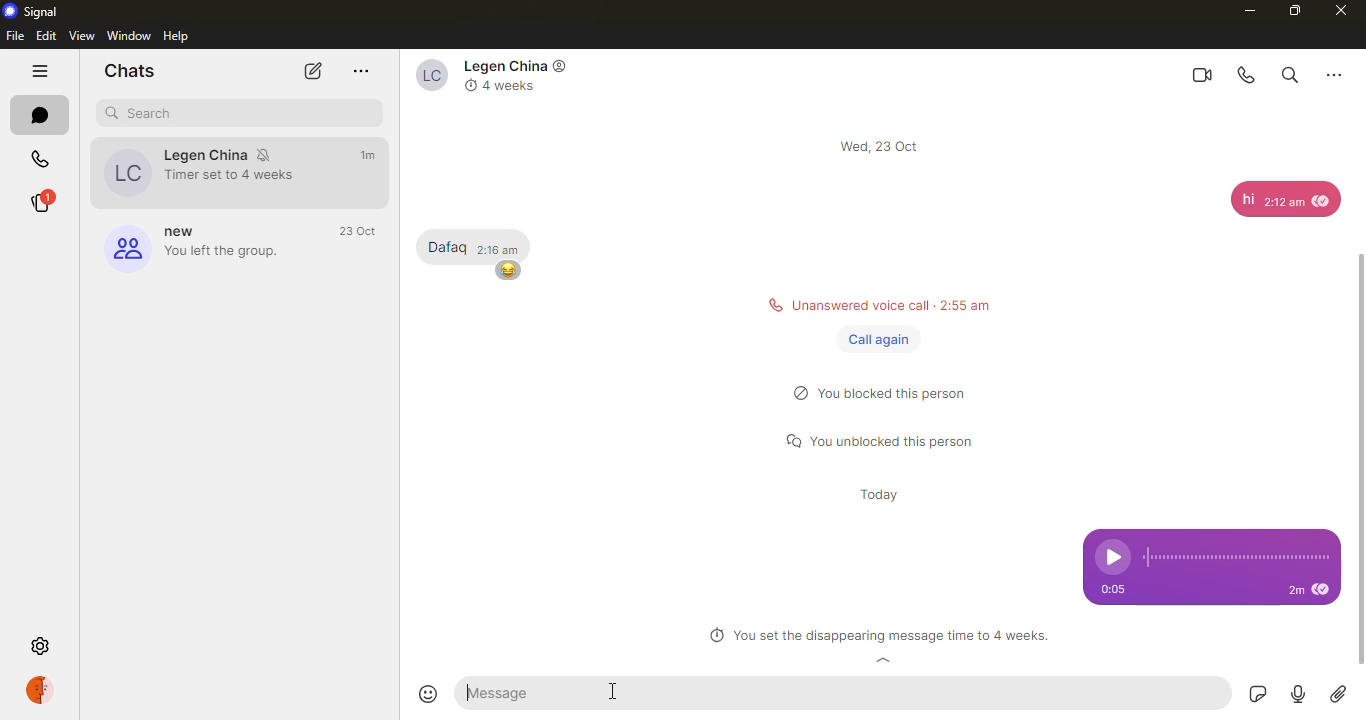 The image size is (1366, 720). I want to click on sticker, so click(1254, 694).